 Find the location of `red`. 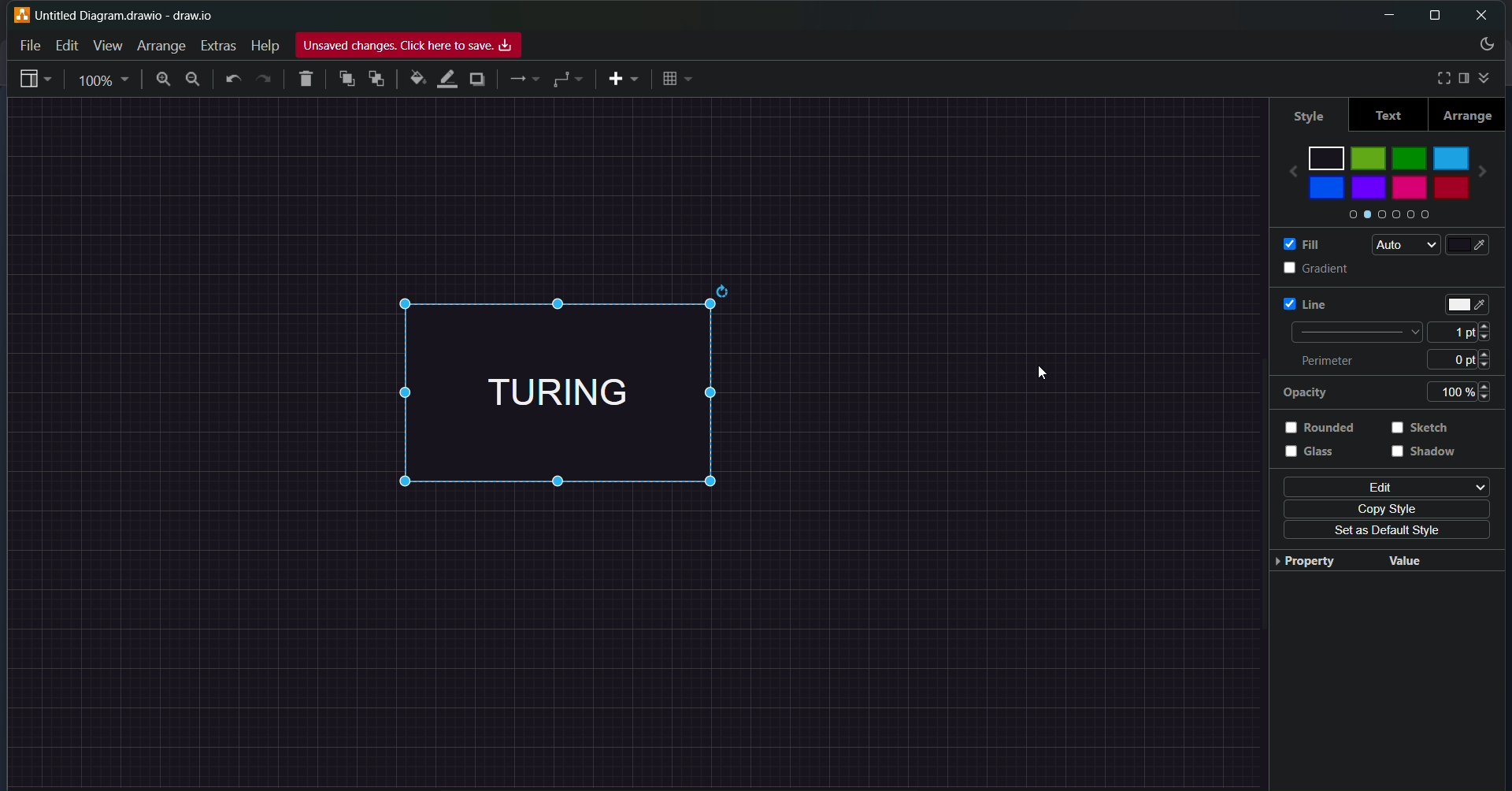

red is located at coordinates (1449, 189).